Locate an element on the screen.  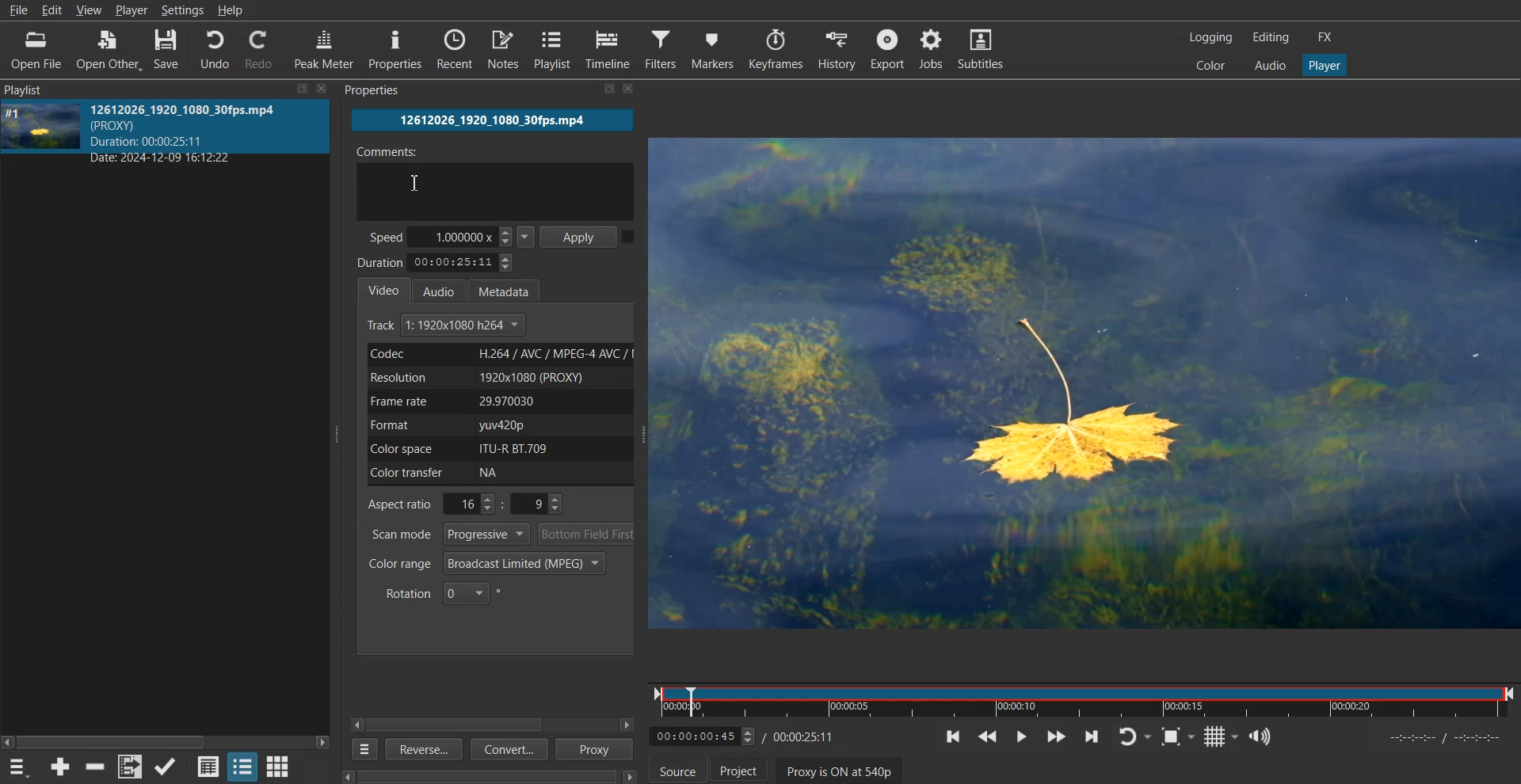
Show the volume control is located at coordinates (1260, 736).